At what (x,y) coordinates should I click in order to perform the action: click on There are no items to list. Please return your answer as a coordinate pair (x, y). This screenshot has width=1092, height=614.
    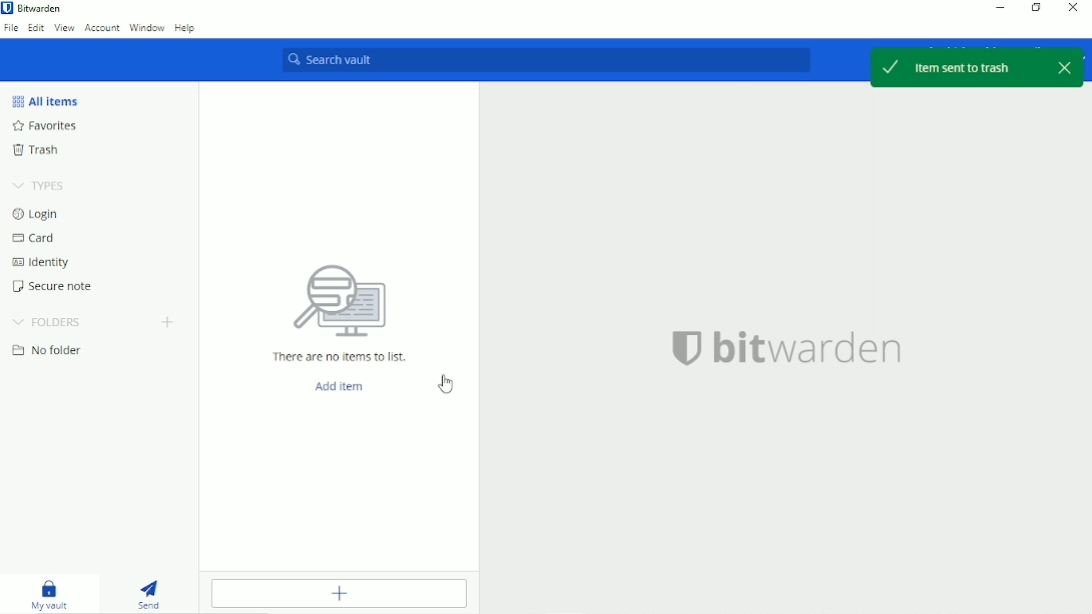
    Looking at the image, I should click on (340, 359).